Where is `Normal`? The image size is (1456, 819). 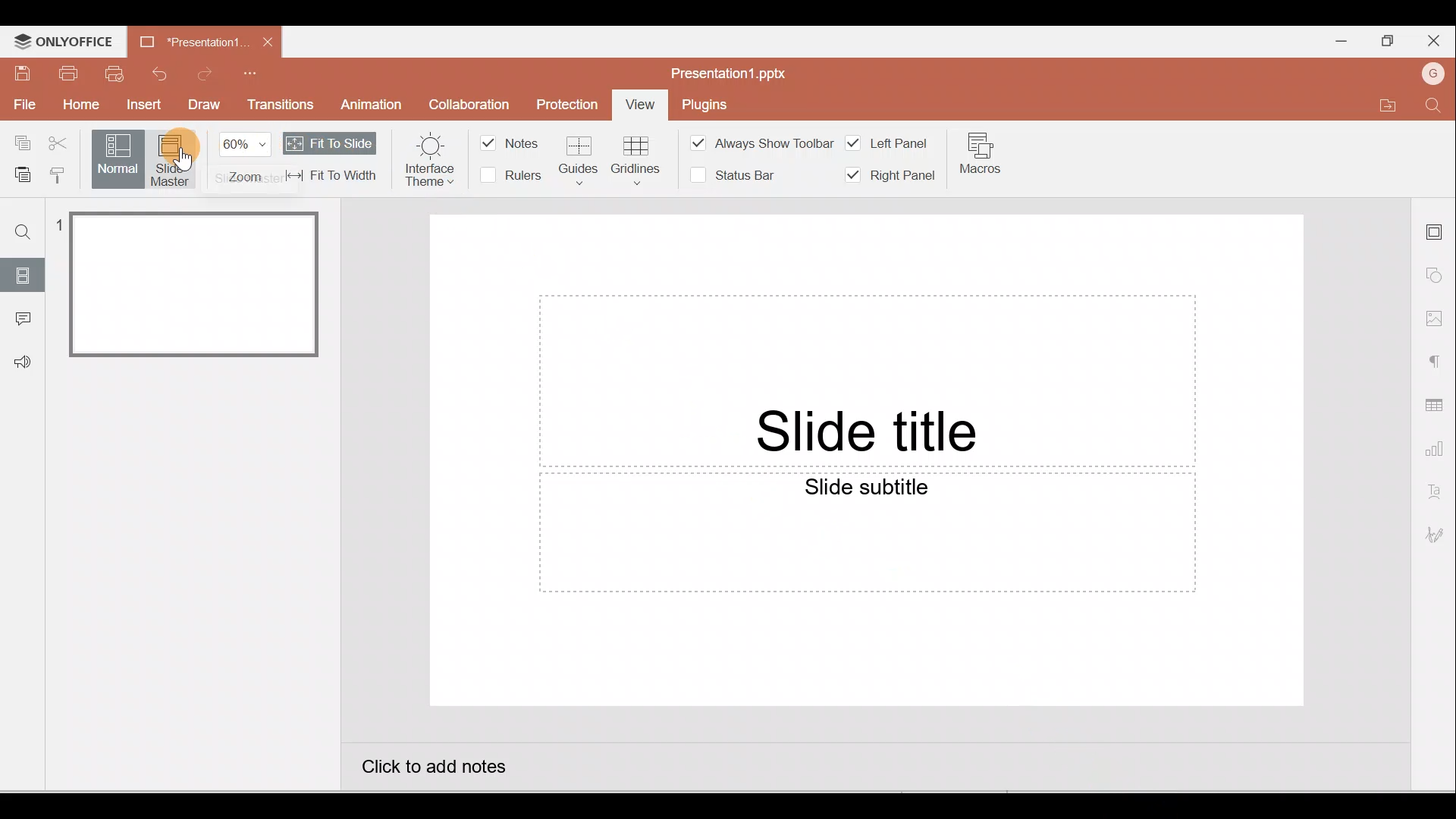 Normal is located at coordinates (116, 160).